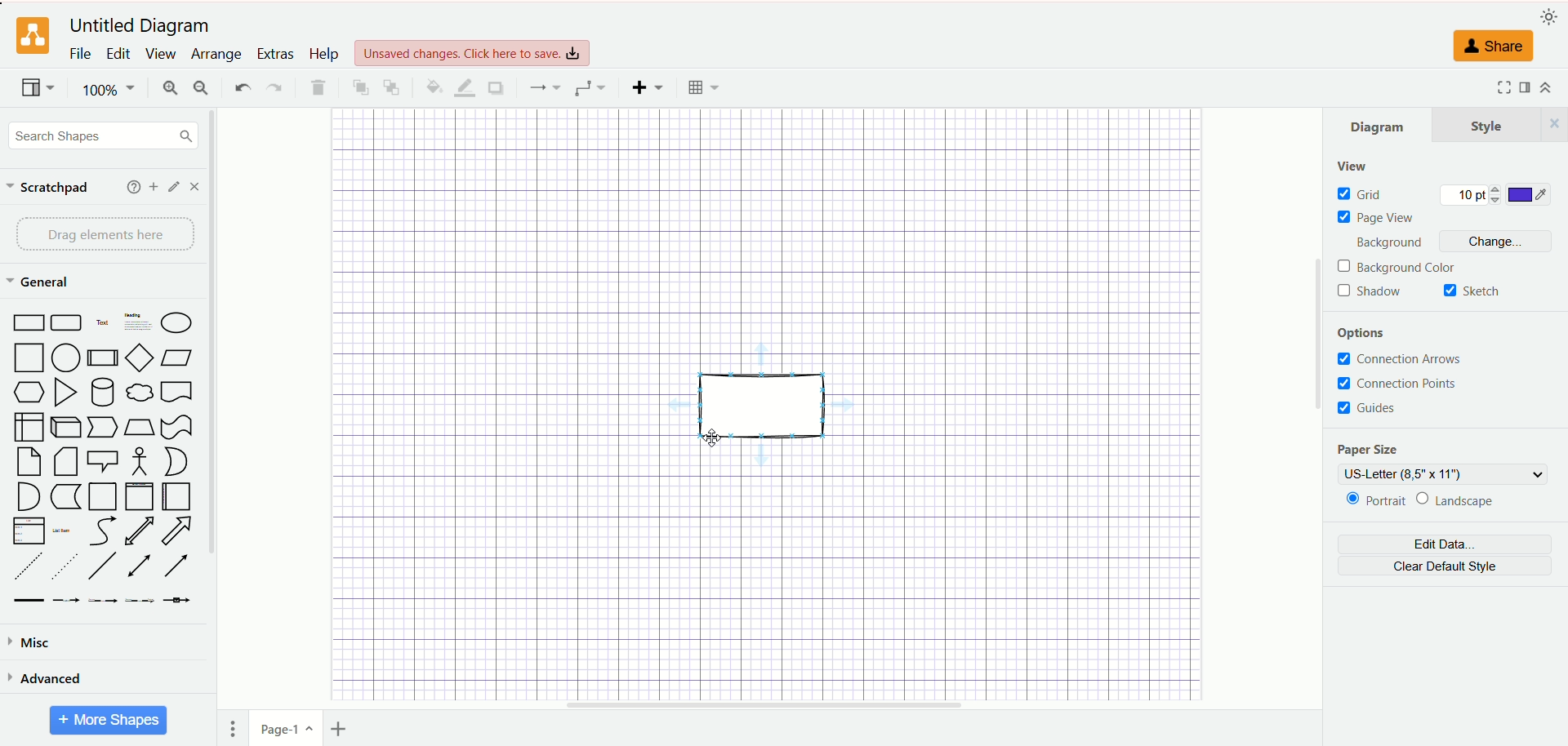 The width and height of the screenshot is (1568, 746). What do you see at coordinates (1379, 218) in the screenshot?
I see `page view` at bounding box center [1379, 218].